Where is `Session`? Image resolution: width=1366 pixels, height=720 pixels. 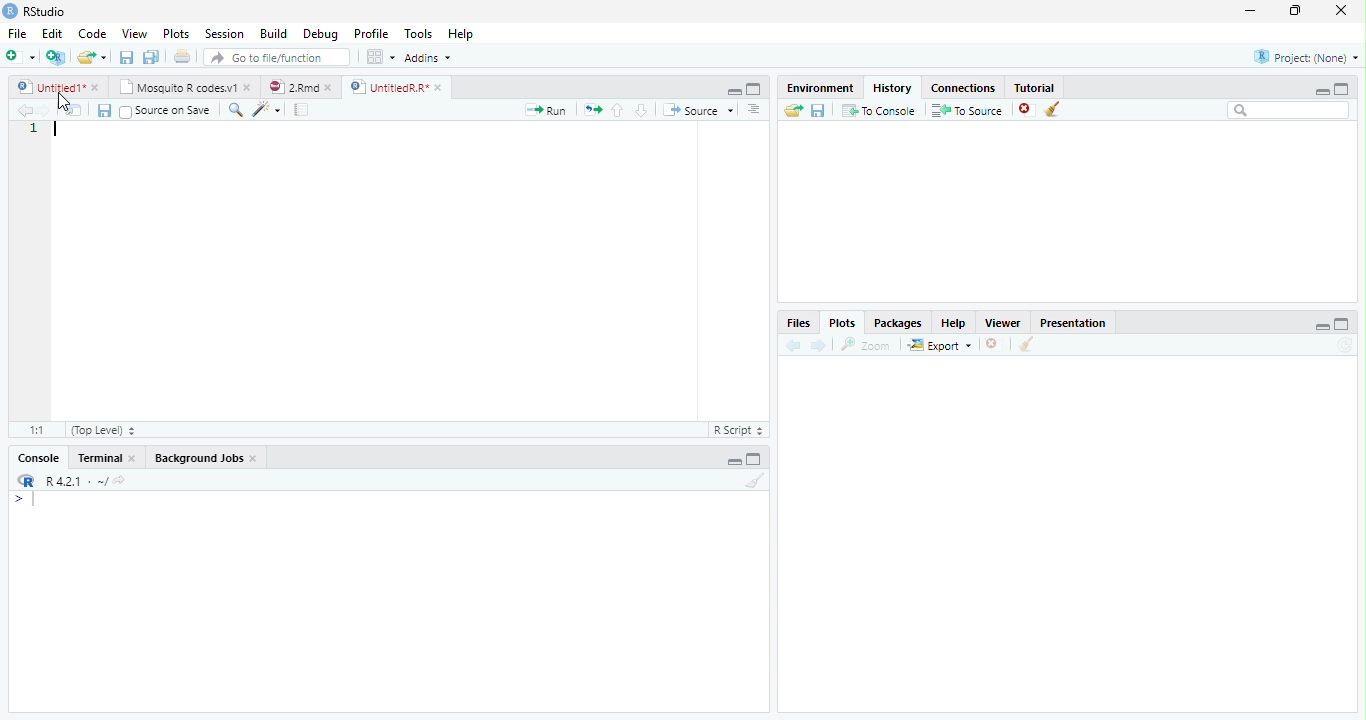 Session is located at coordinates (222, 33).